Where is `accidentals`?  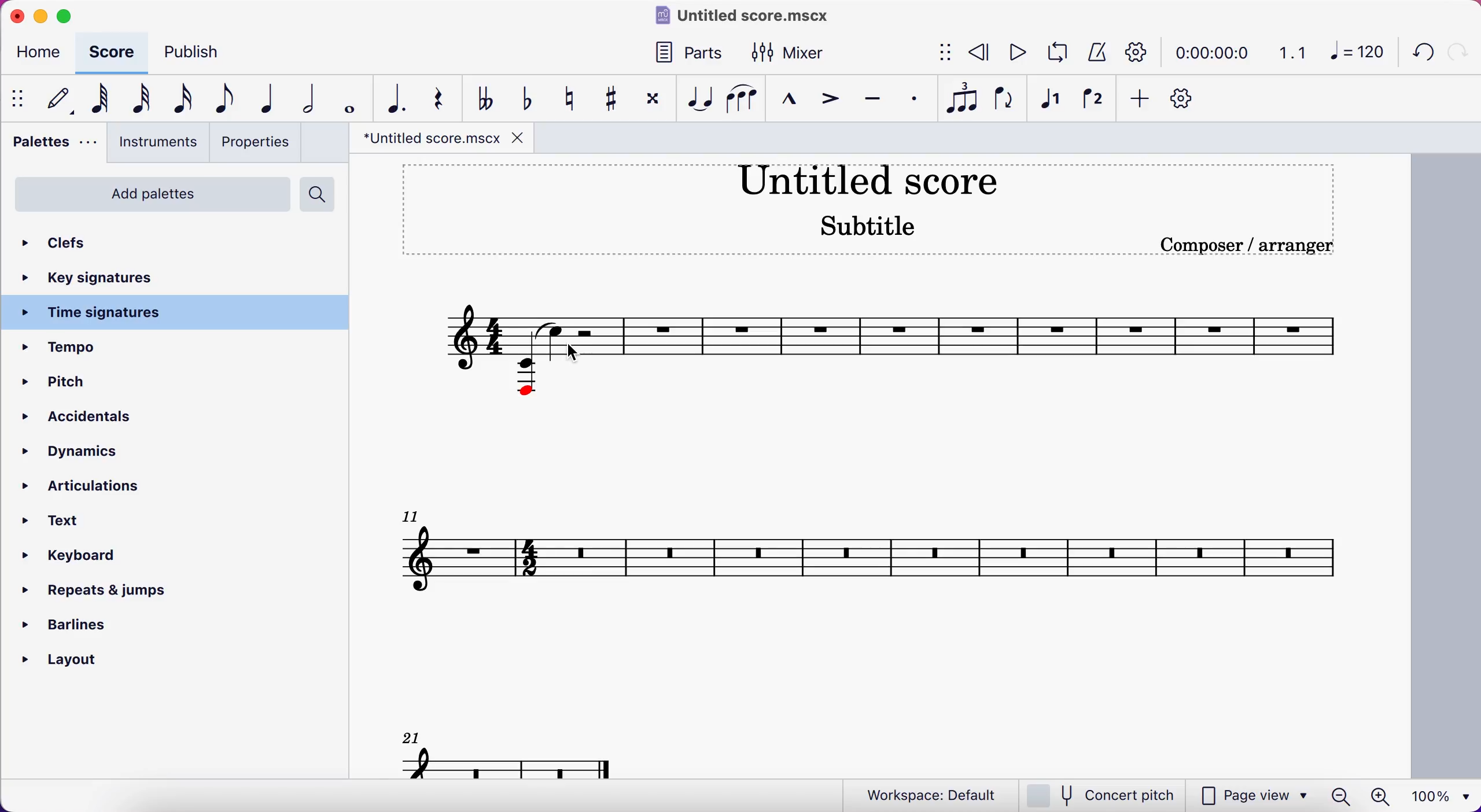
accidentals is located at coordinates (88, 418).